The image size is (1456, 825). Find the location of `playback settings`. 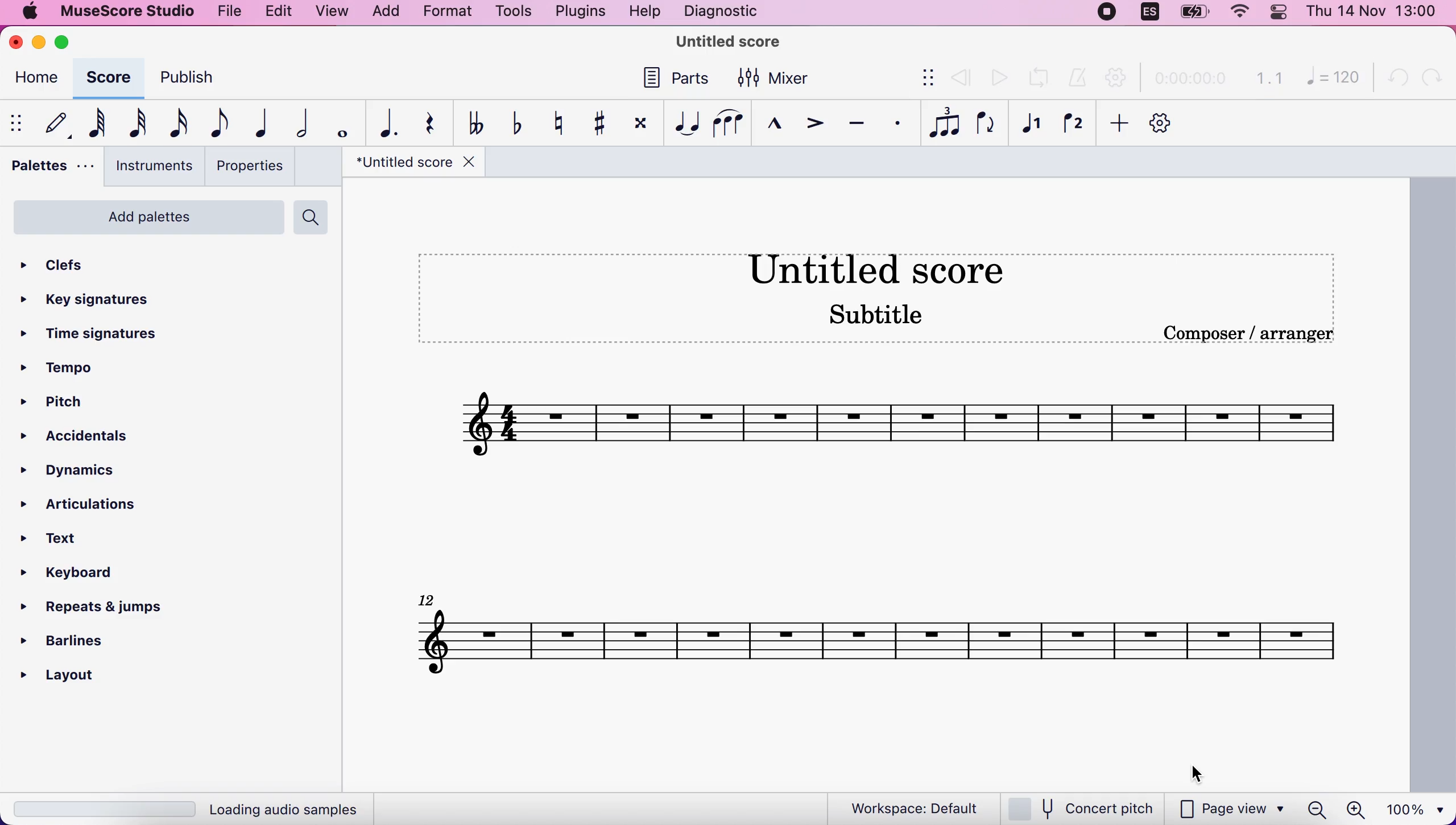

playback settings is located at coordinates (1113, 77).